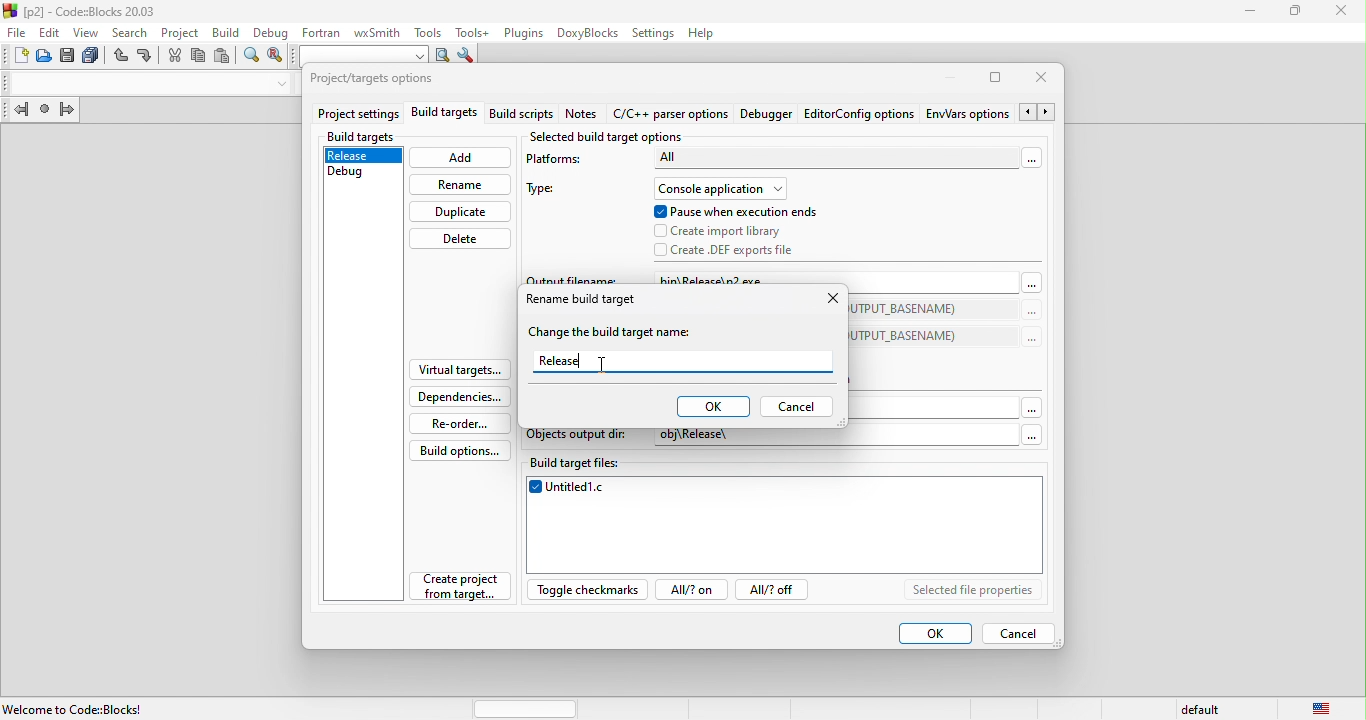 The image size is (1366, 720). What do you see at coordinates (69, 57) in the screenshot?
I see `save` at bounding box center [69, 57].